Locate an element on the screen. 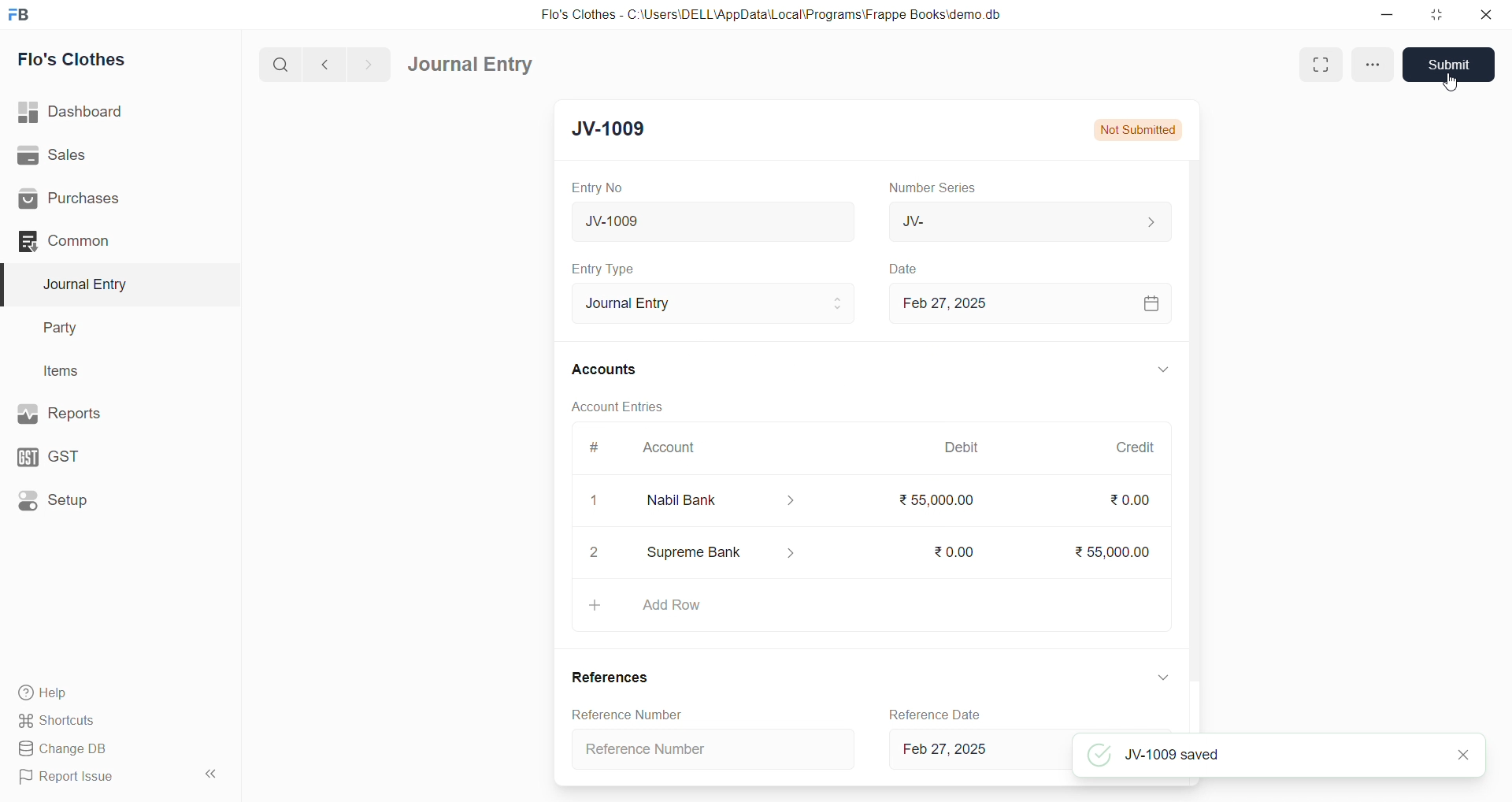 This screenshot has height=802, width=1512. GST is located at coordinates (86, 457).